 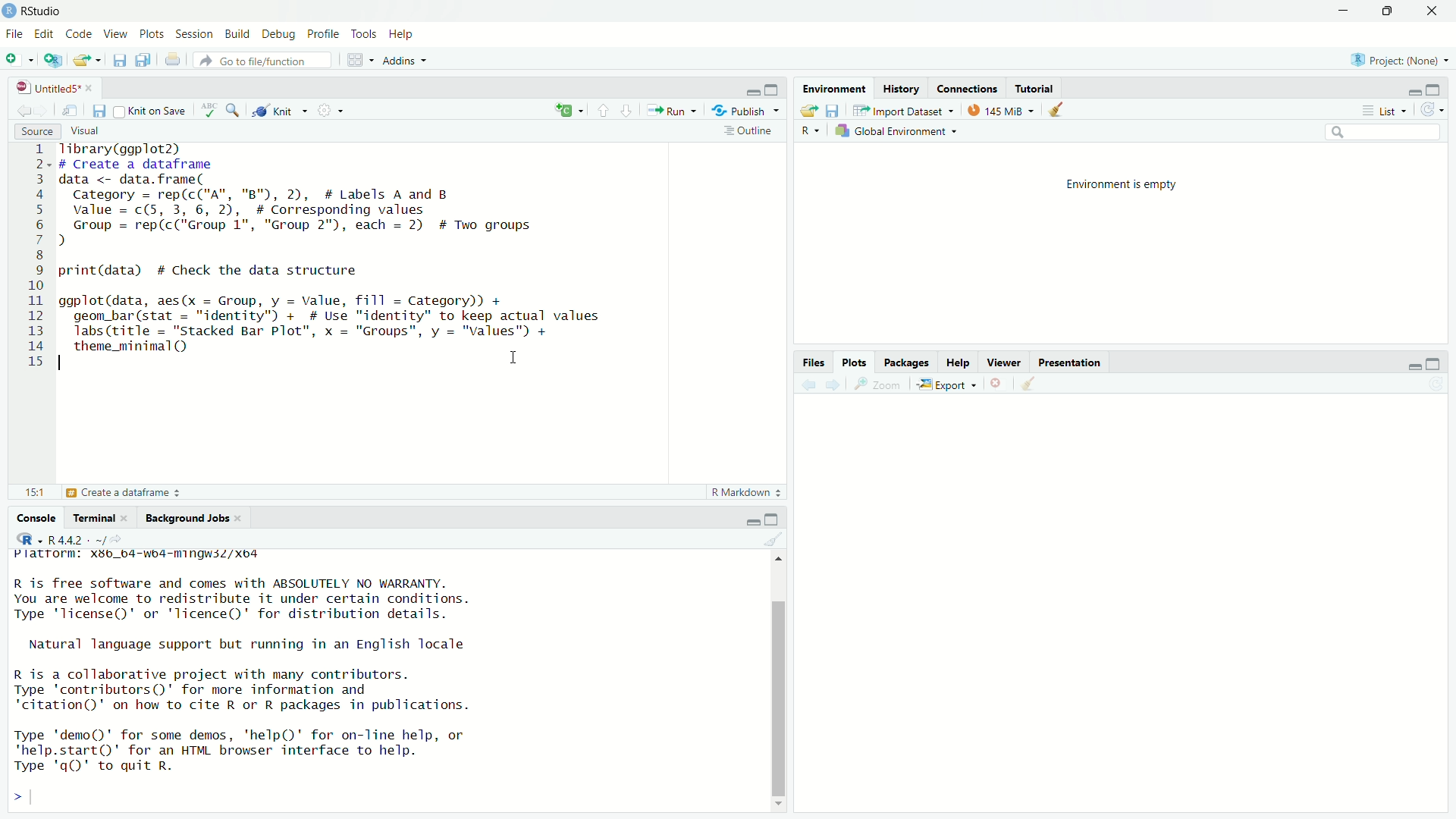 I want to click on Up, so click(x=780, y=557).